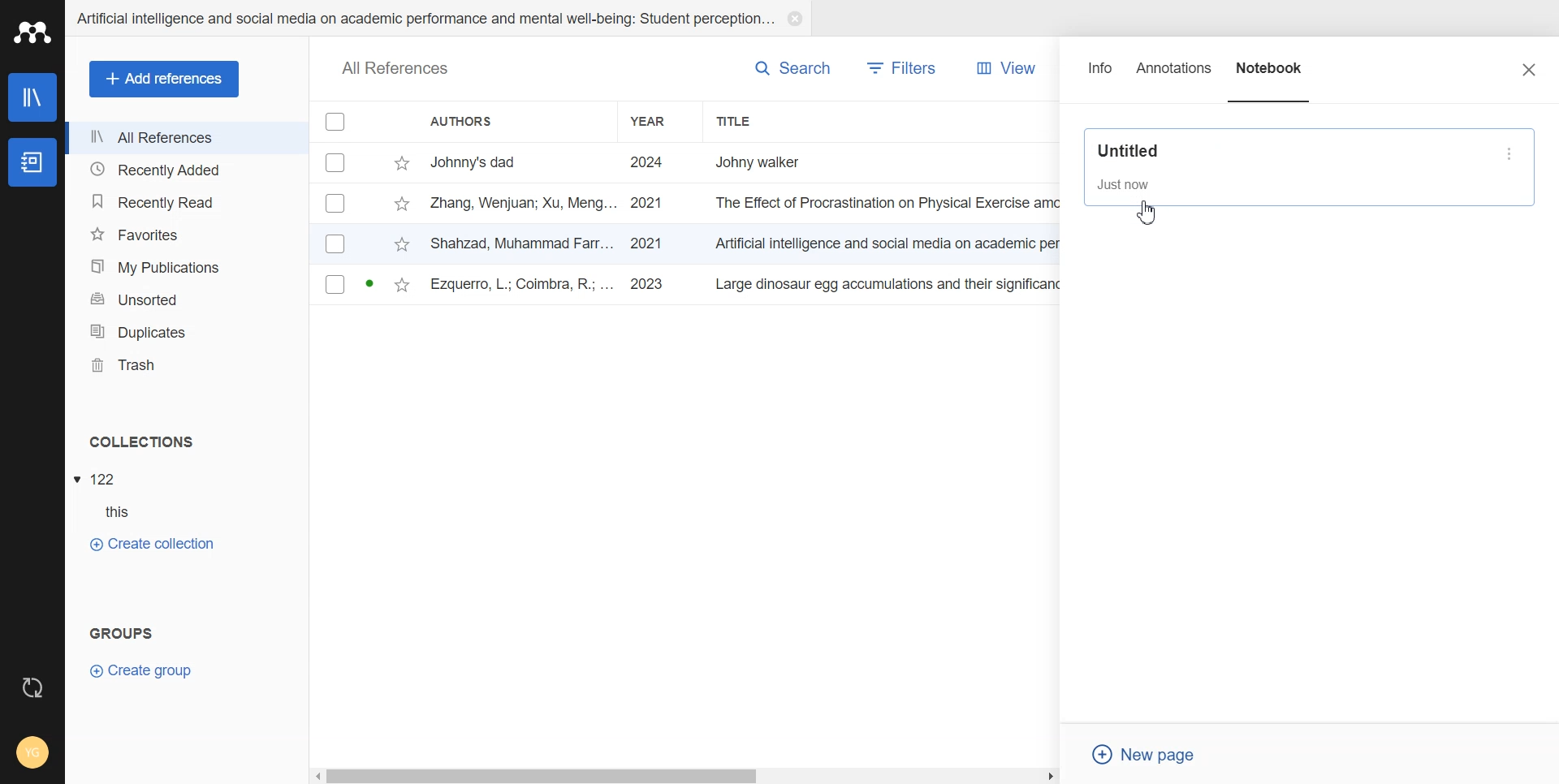 The height and width of the screenshot is (784, 1559). What do you see at coordinates (1147, 210) in the screenshot?
I see `Cursor` at bounding box center [1147, 210].